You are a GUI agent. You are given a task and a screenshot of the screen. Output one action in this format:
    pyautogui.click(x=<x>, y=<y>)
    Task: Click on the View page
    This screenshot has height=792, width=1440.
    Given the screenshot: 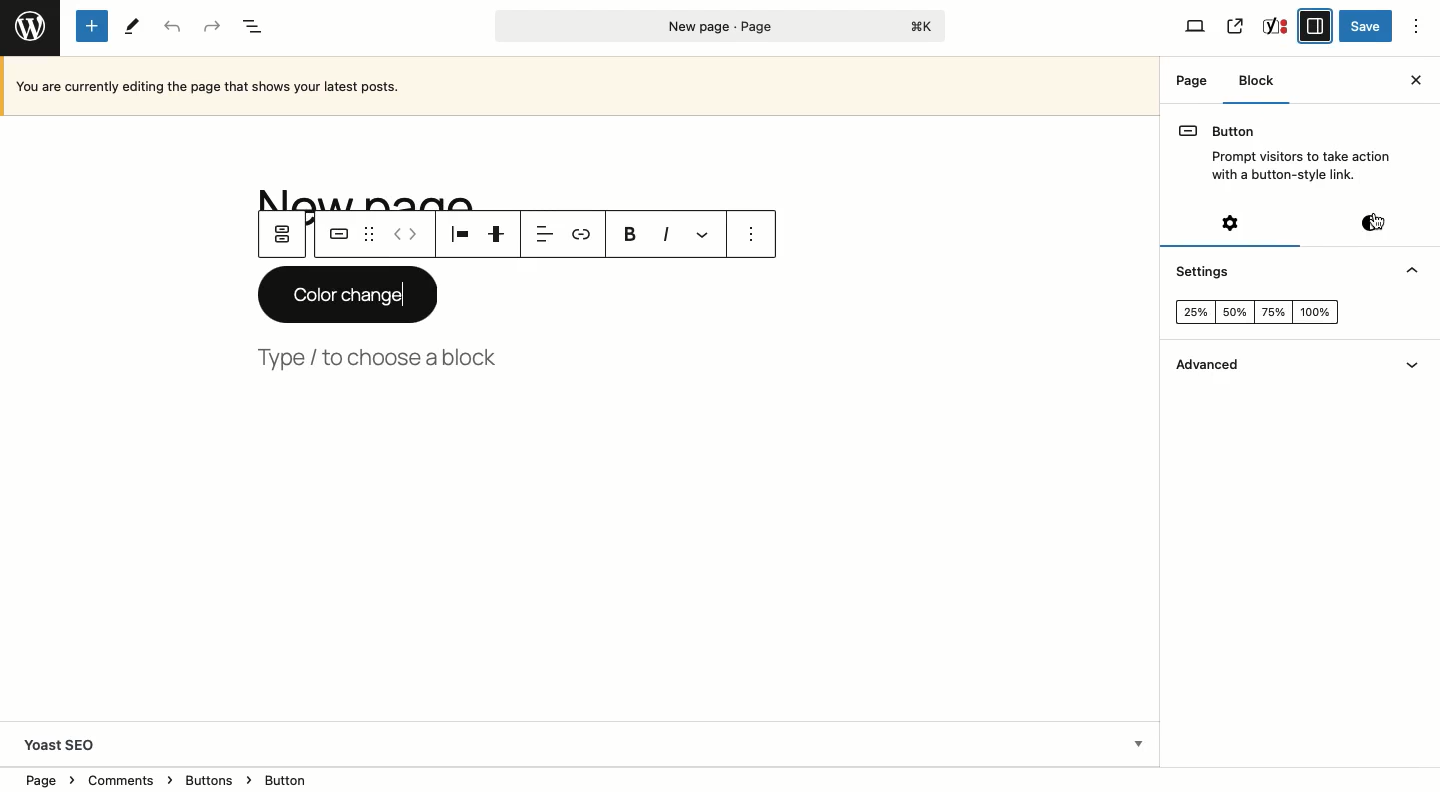 What is the action you would take?
    pyautogui.click(x=1235, y=27)
    